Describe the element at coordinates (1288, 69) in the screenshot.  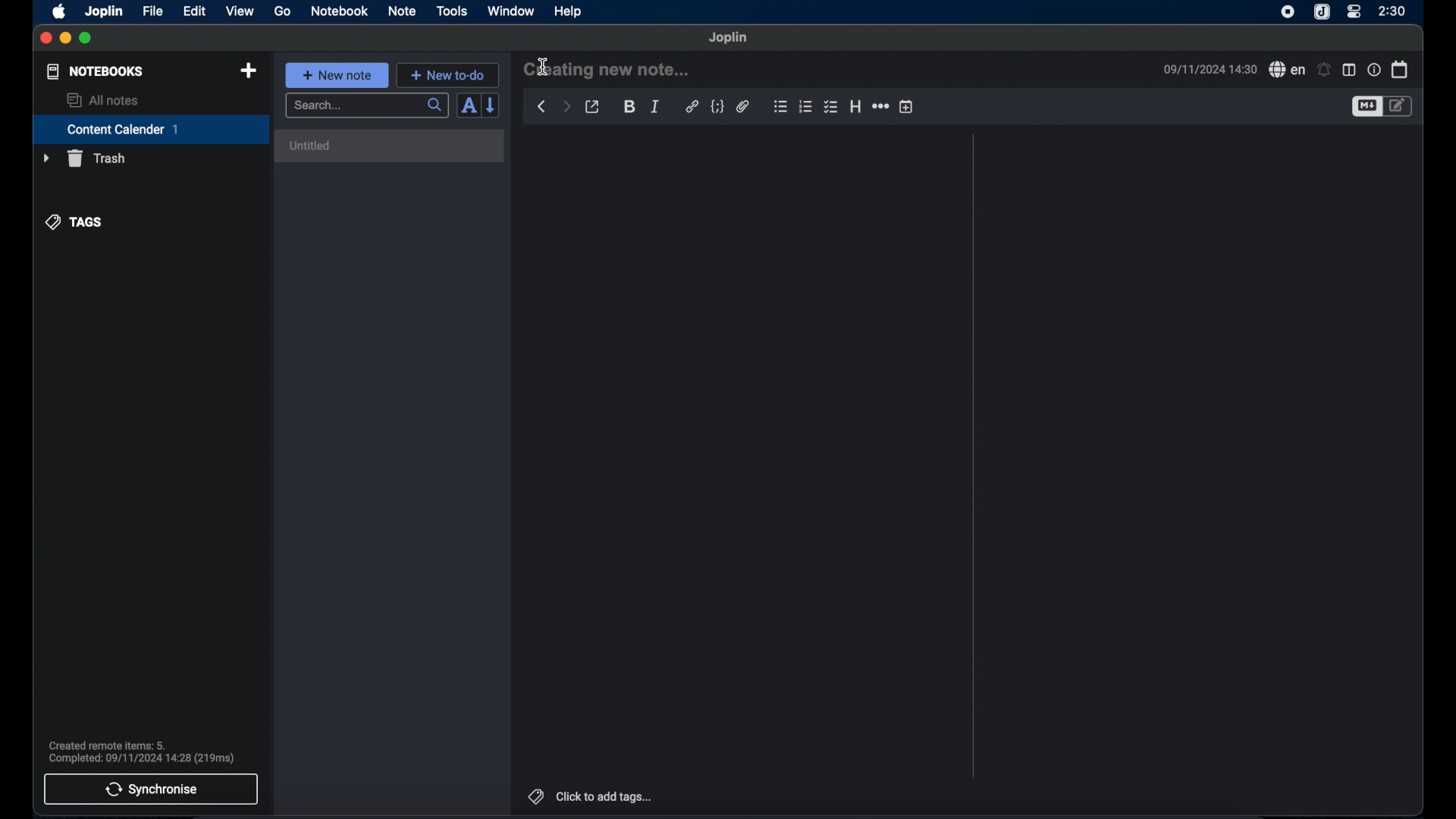
I see `spell check` at that location.